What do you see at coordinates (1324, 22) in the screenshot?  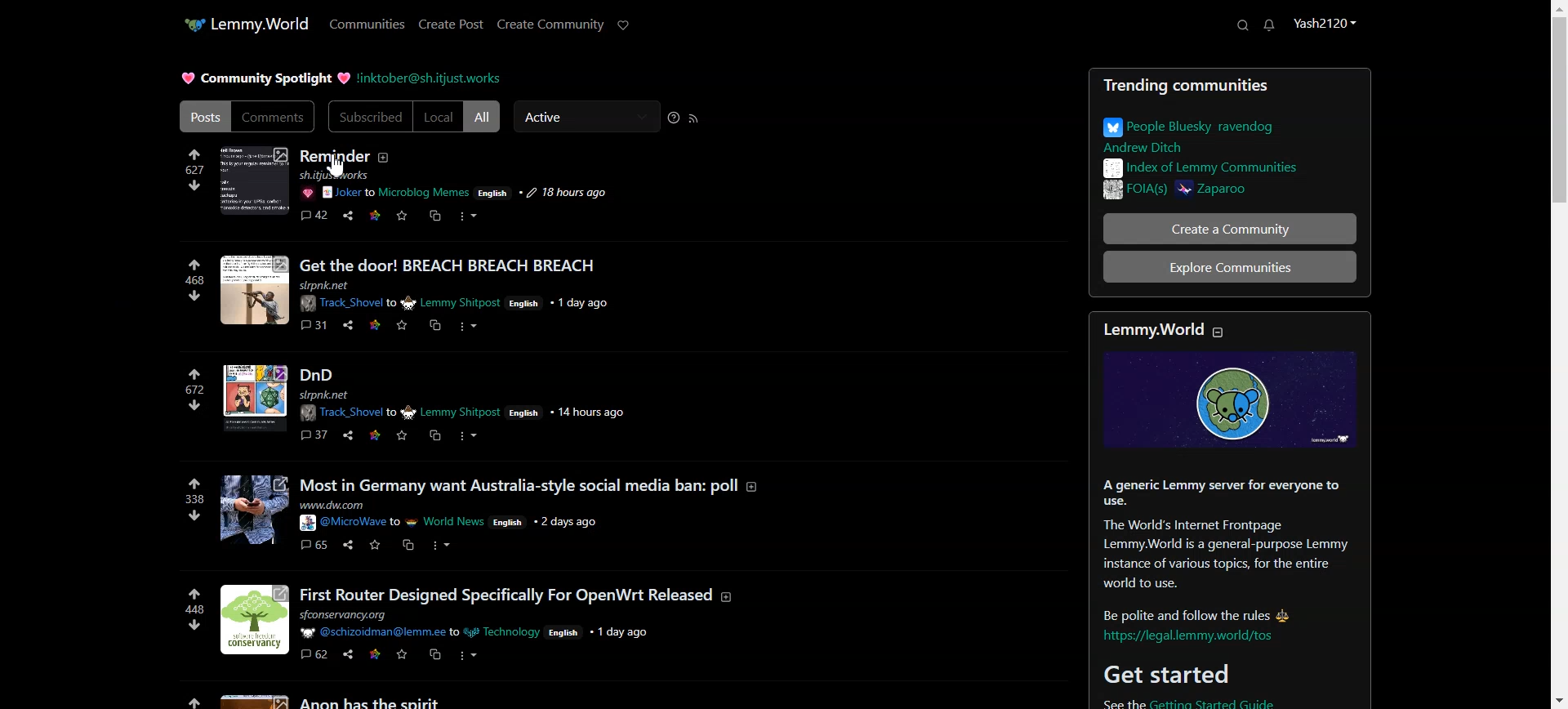 I see `Profile` at bounding box center [1324, 22].